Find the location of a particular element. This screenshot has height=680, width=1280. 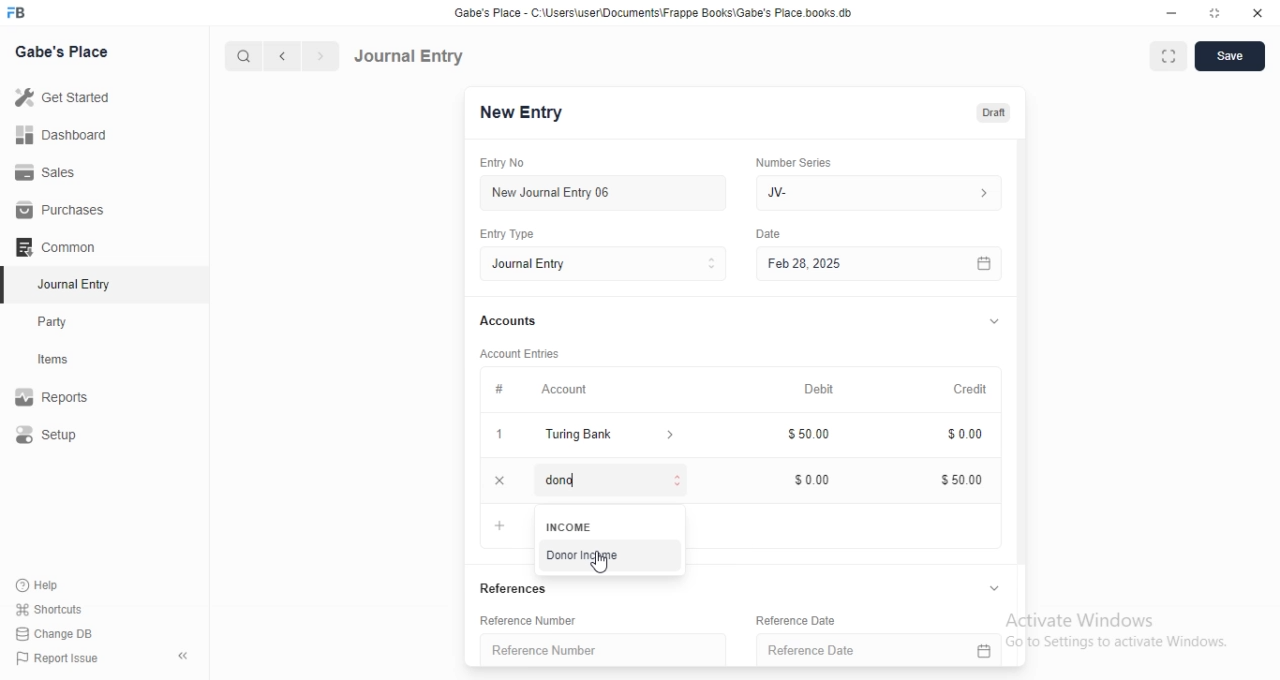

Feb 28, 2025 is located at coordinates (860, 263).